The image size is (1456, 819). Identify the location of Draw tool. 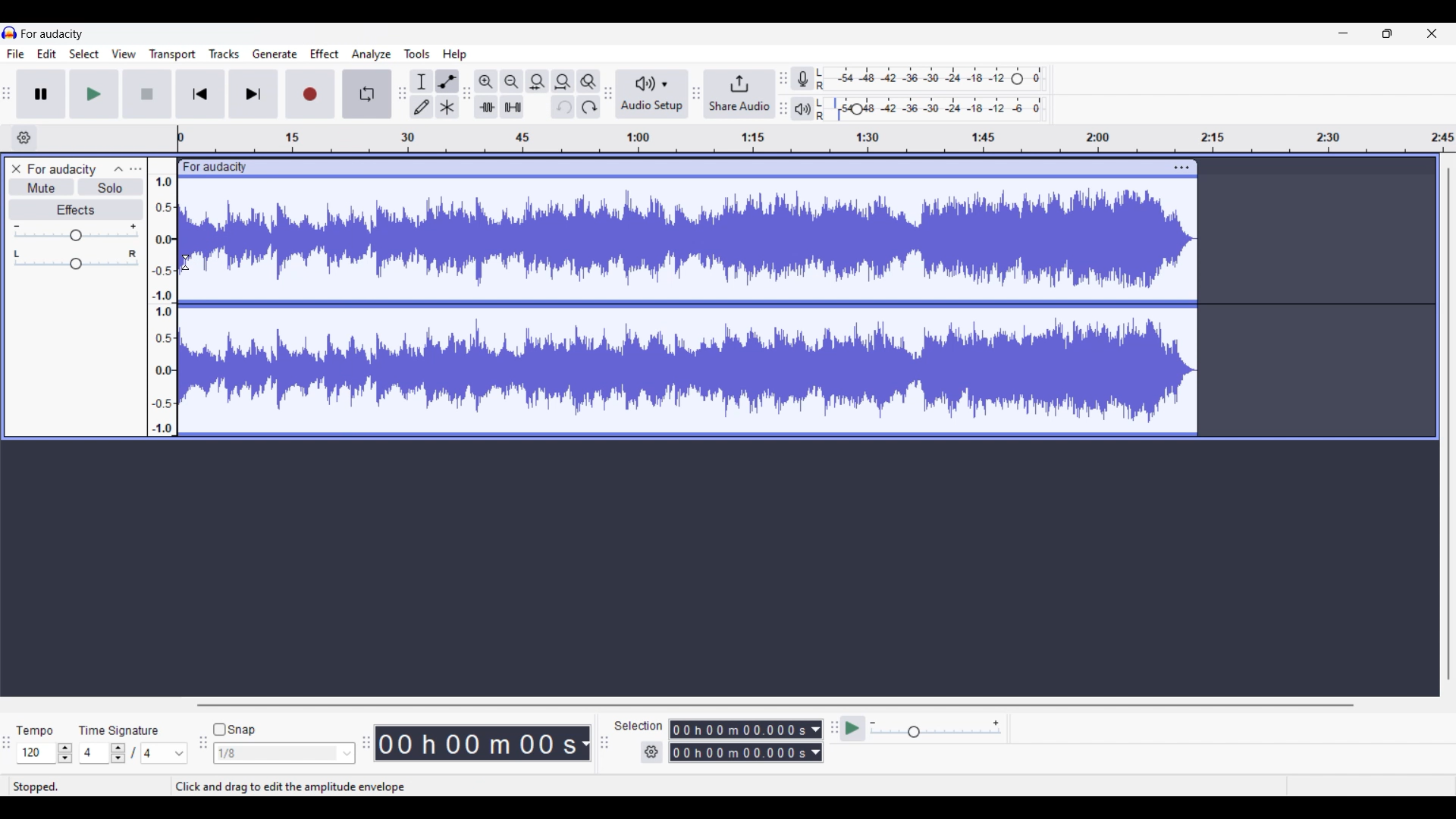
(418, 107).